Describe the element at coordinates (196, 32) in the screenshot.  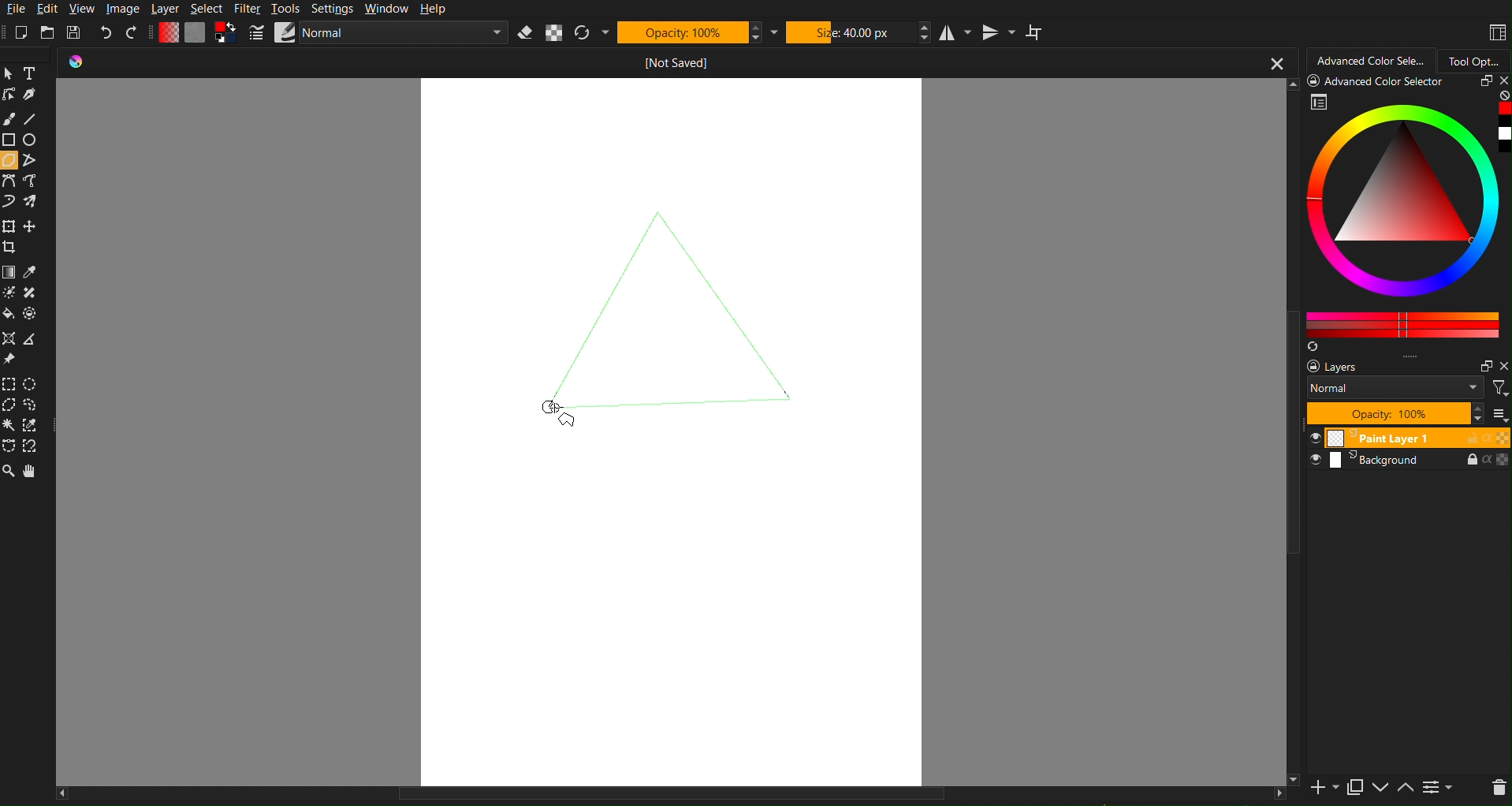
I see `Color Settings` at that location.